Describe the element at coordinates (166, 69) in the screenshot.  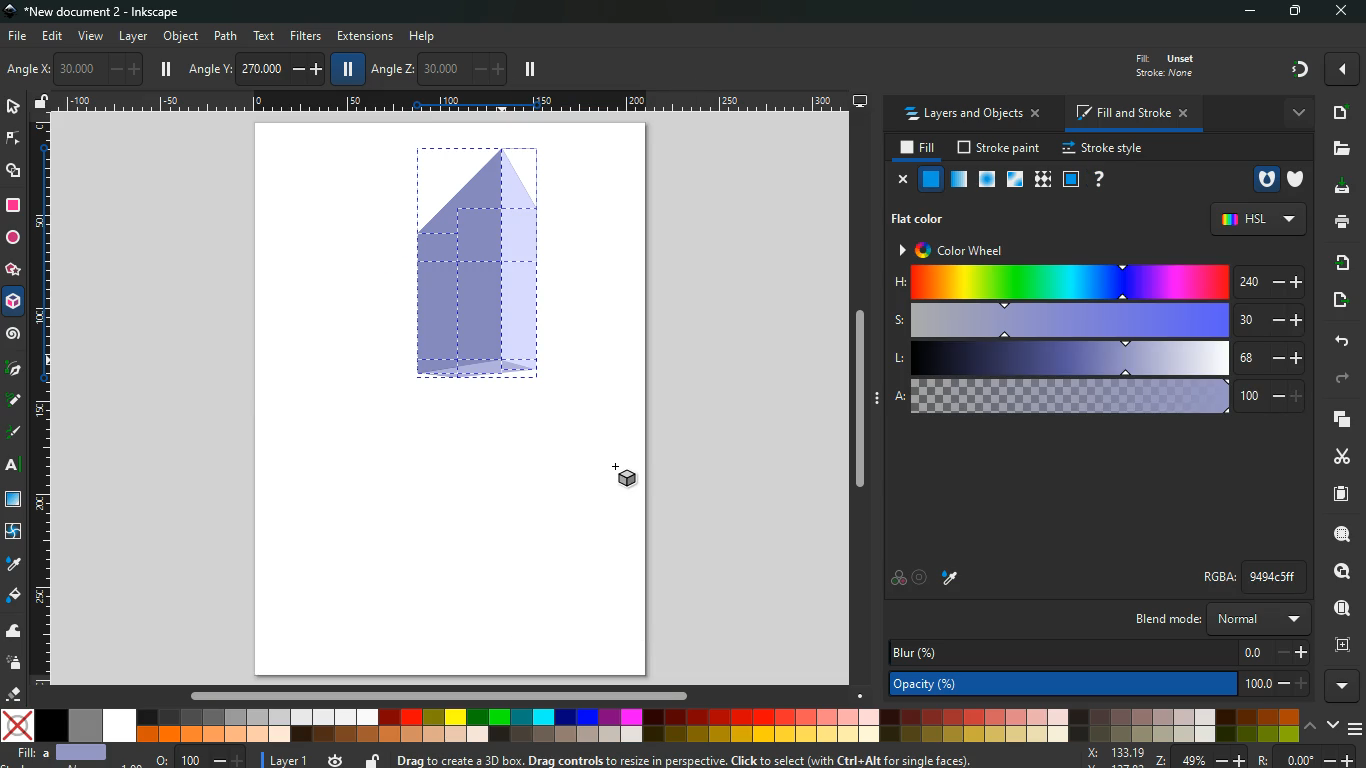
I see `pause` at that location.